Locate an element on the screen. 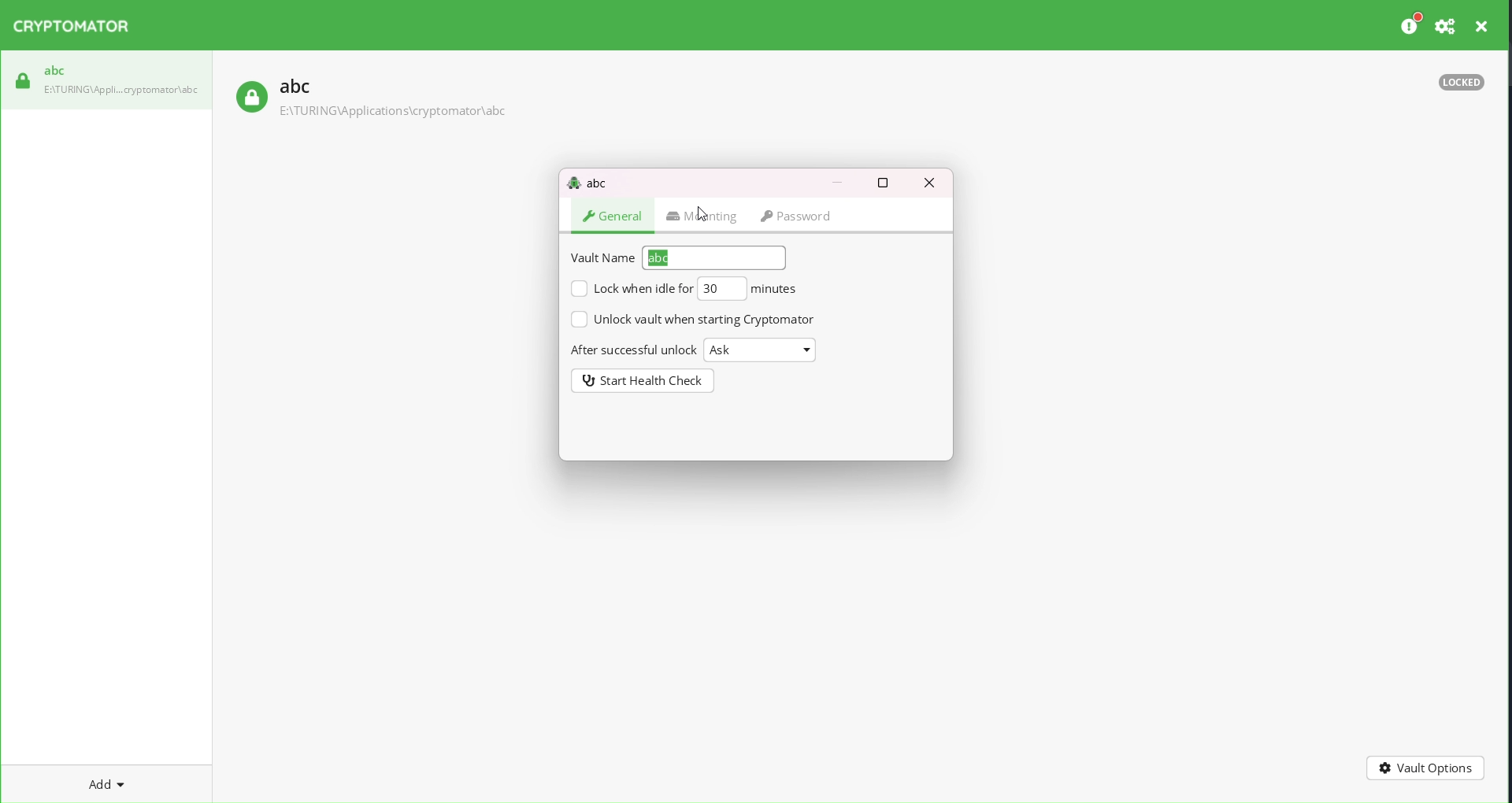 Image resolution: width=1512 pixels, height=803 pixels. abc is located at coordinates (54, 70).